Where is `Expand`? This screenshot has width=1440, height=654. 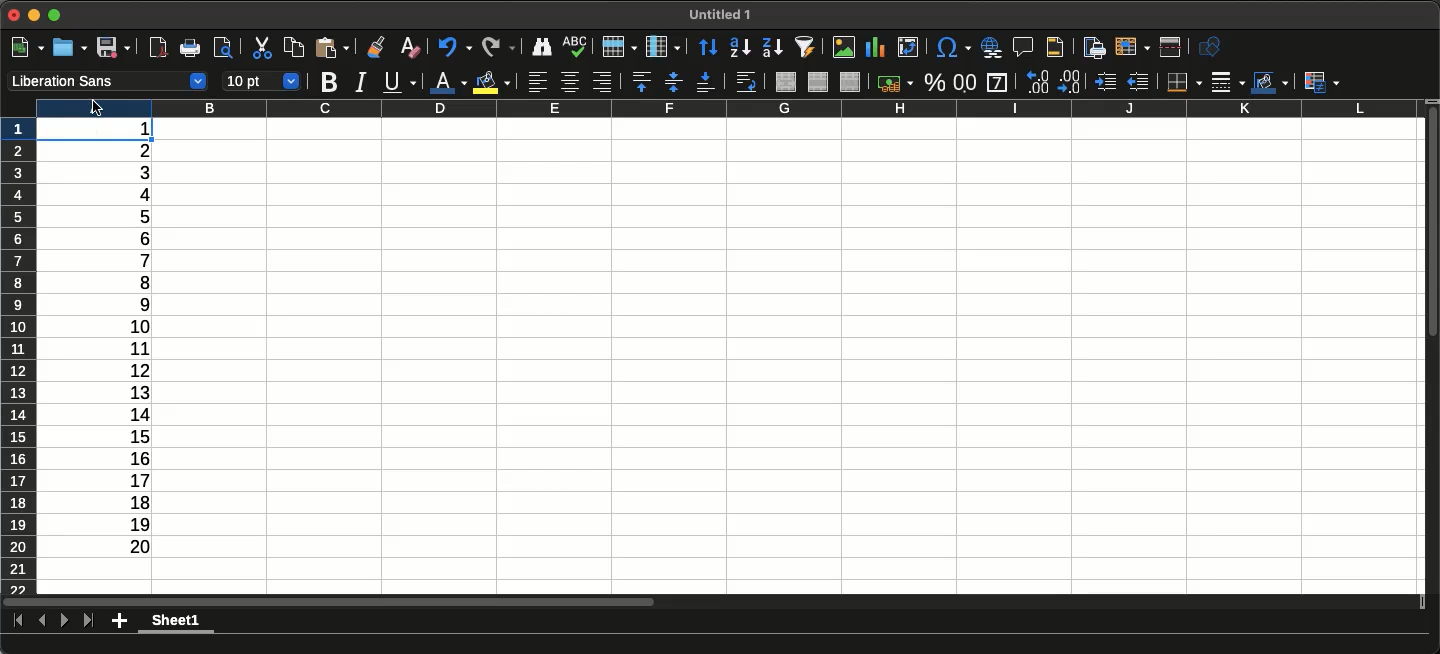
Expand is located at coordinates (56, 15).